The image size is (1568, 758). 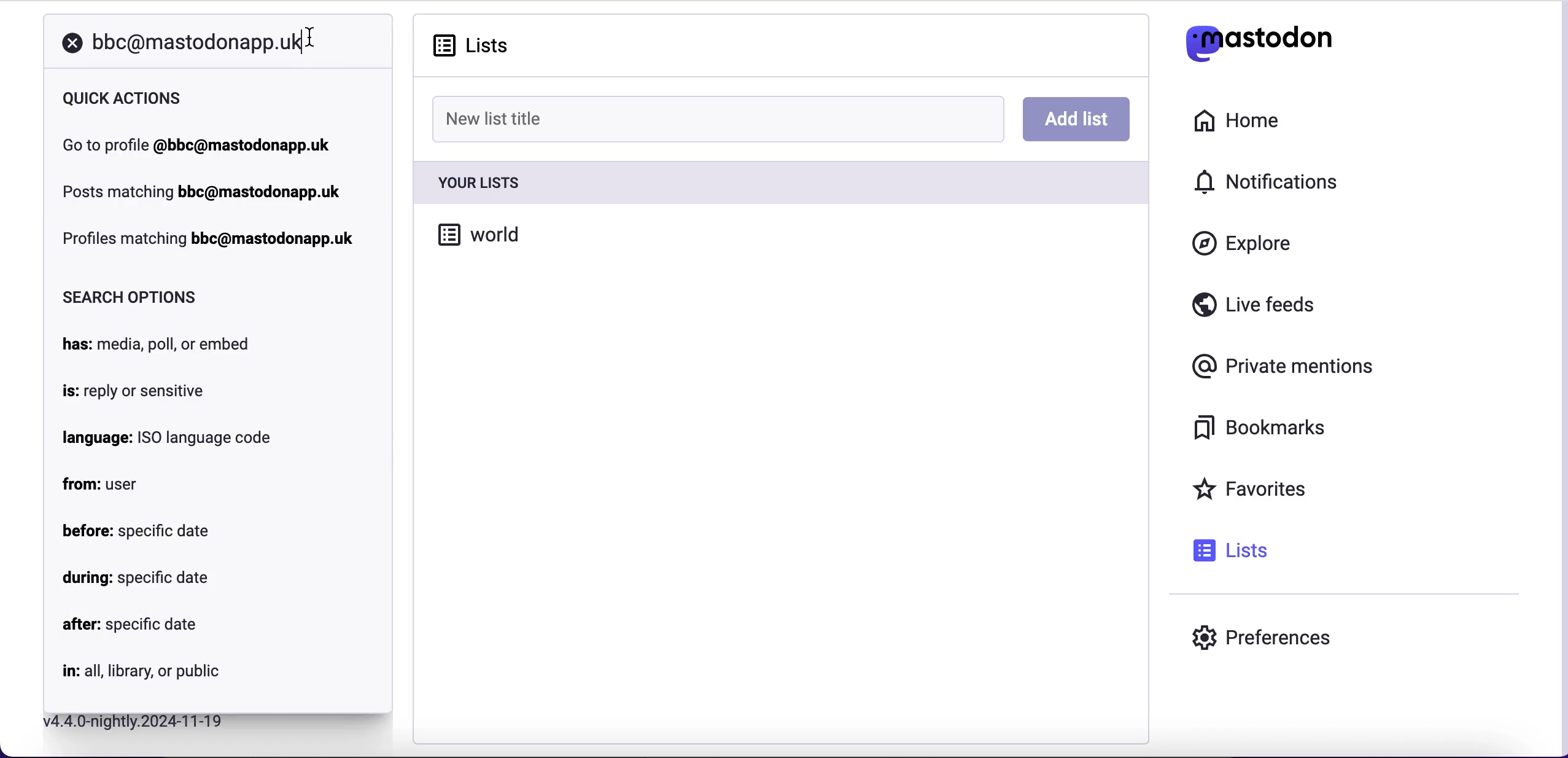 What do you see at coordinates (133, 297) in the screenshot?
I see `search options` at bounding box center [133, 297].